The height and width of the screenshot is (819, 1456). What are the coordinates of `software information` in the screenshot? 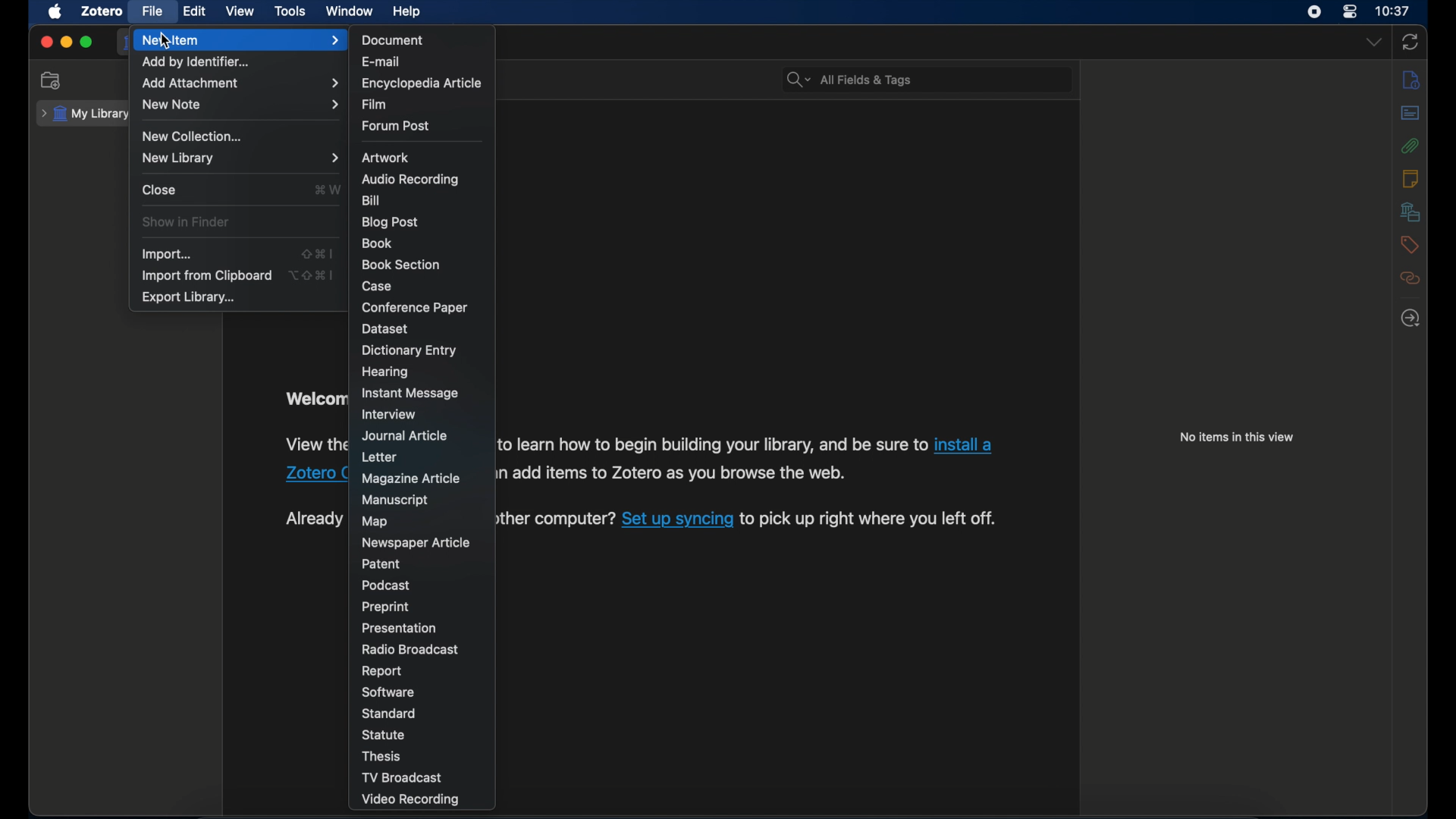 It's located at (712, 444).